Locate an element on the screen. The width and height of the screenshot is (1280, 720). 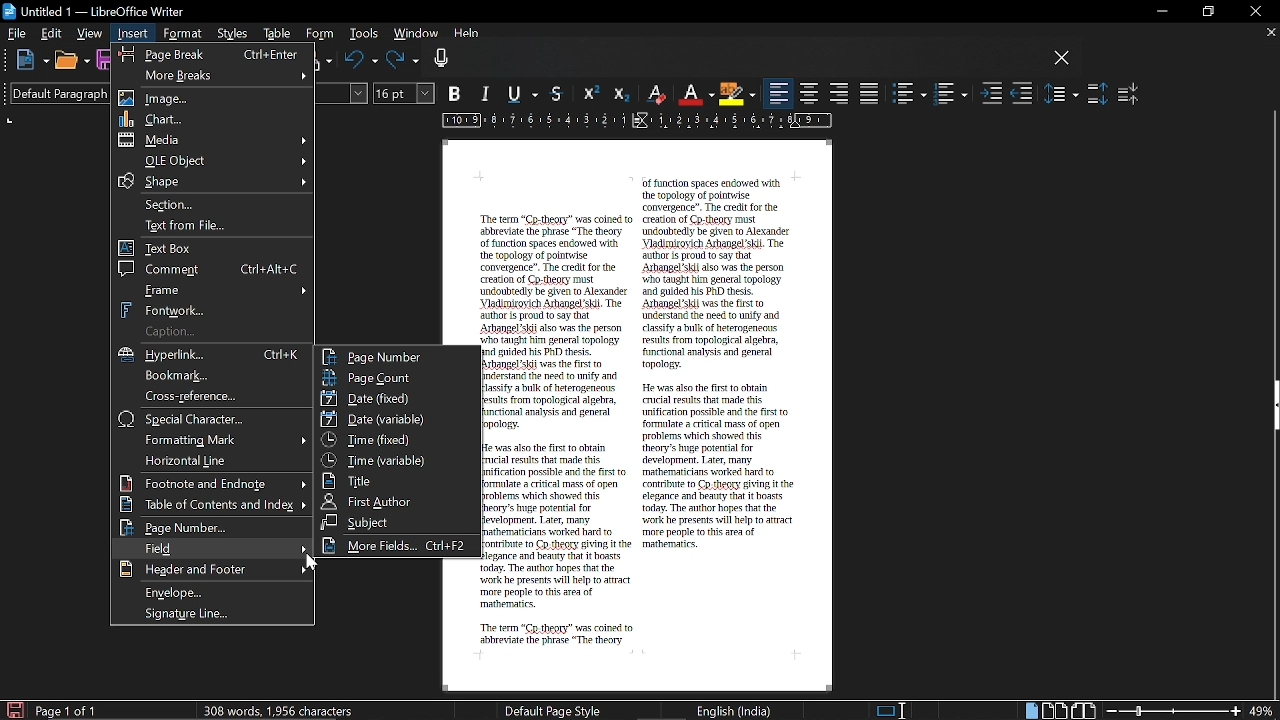
Footnote and endnote is located at coordinates (213, 483).